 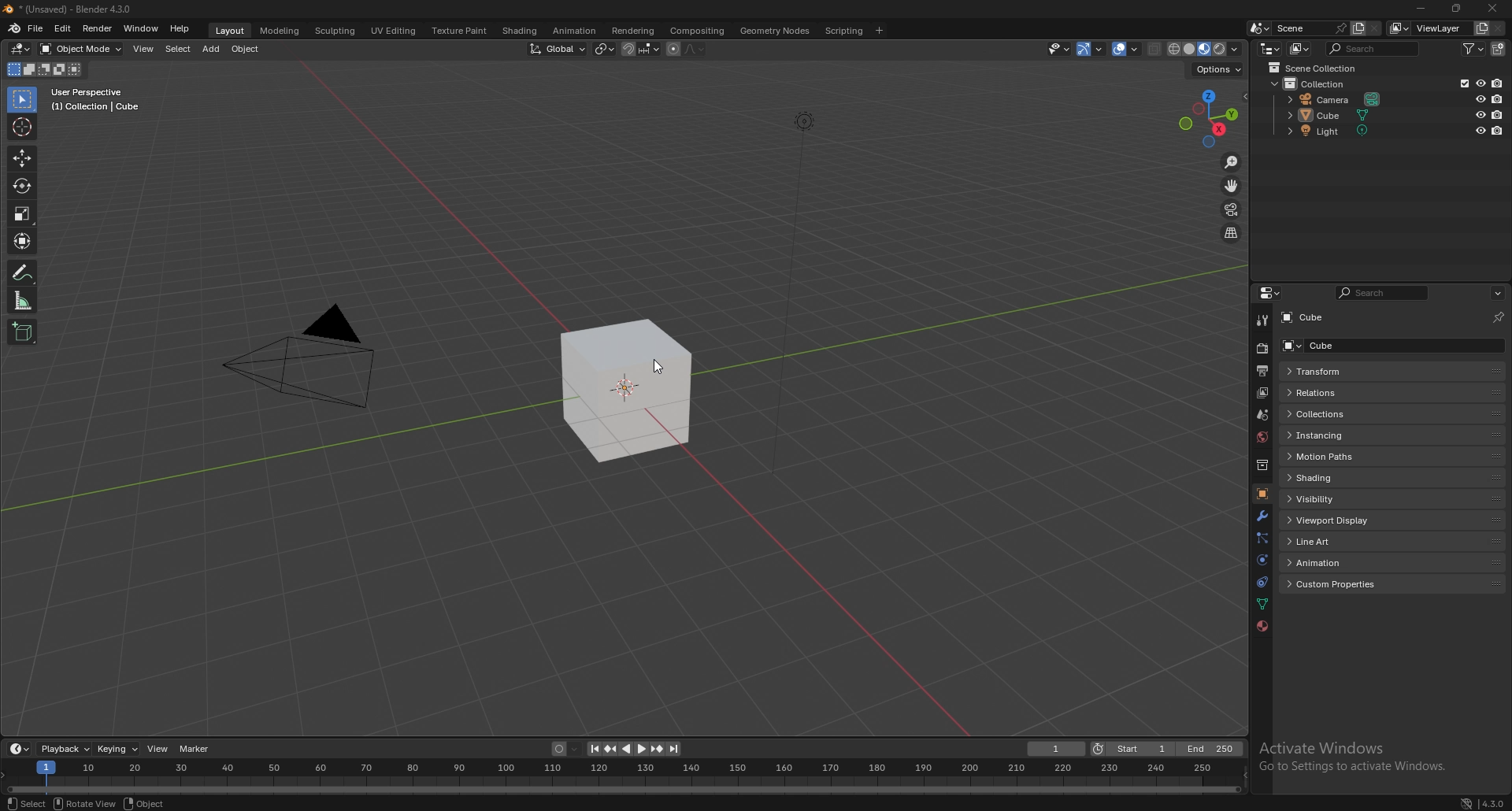 What do you see at coordinates (1332, 131) in the screenshot?
I see `light` at bounding box center [1332, 131].